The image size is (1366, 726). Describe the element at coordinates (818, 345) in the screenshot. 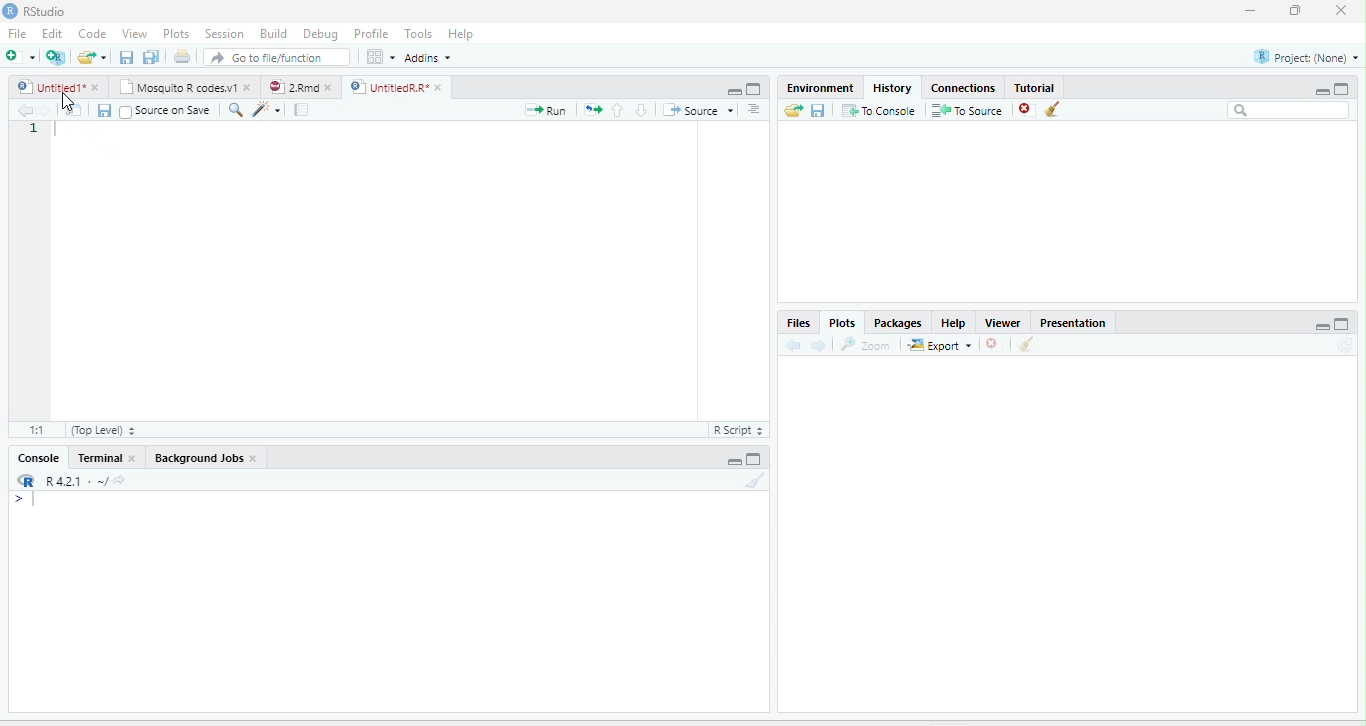

I see `Next plot` at that location.